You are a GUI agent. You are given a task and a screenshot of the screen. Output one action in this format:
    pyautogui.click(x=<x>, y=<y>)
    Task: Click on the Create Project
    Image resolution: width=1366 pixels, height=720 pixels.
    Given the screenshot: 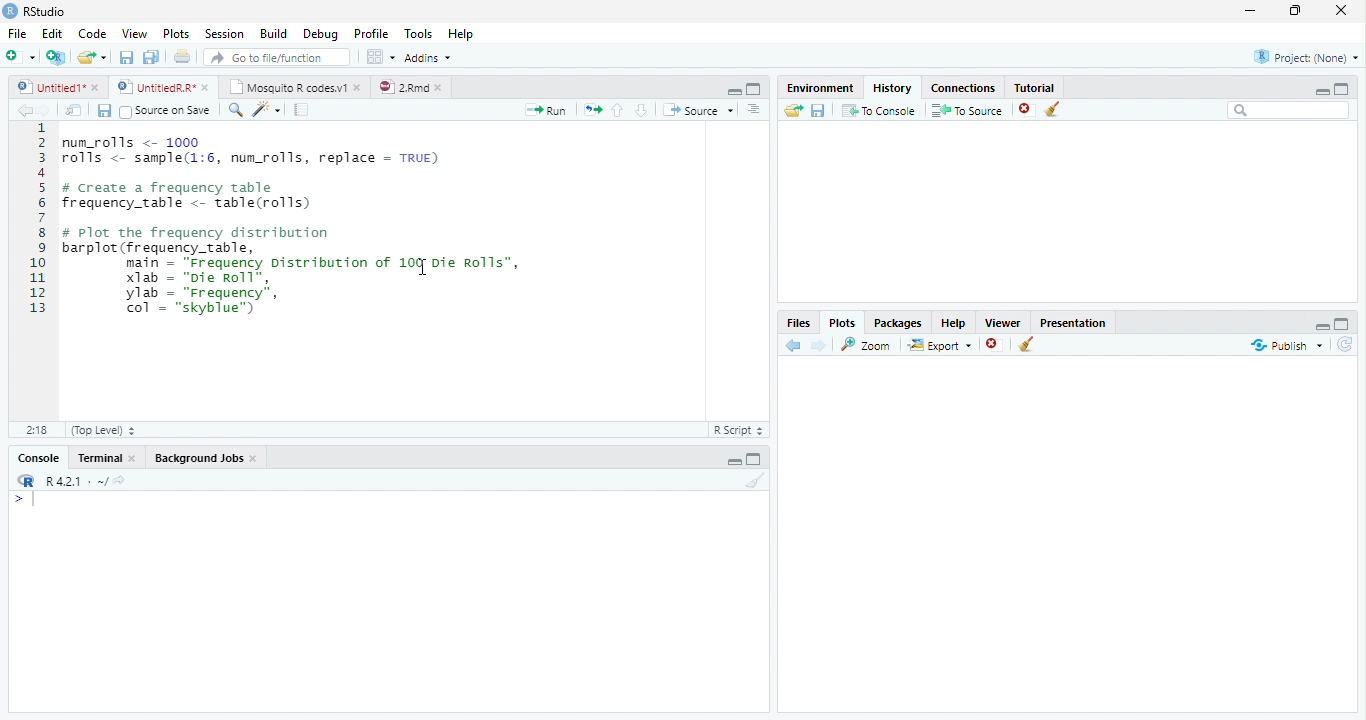 What is the action you would take?
    pyautogui.click(x=56, y=58)
    